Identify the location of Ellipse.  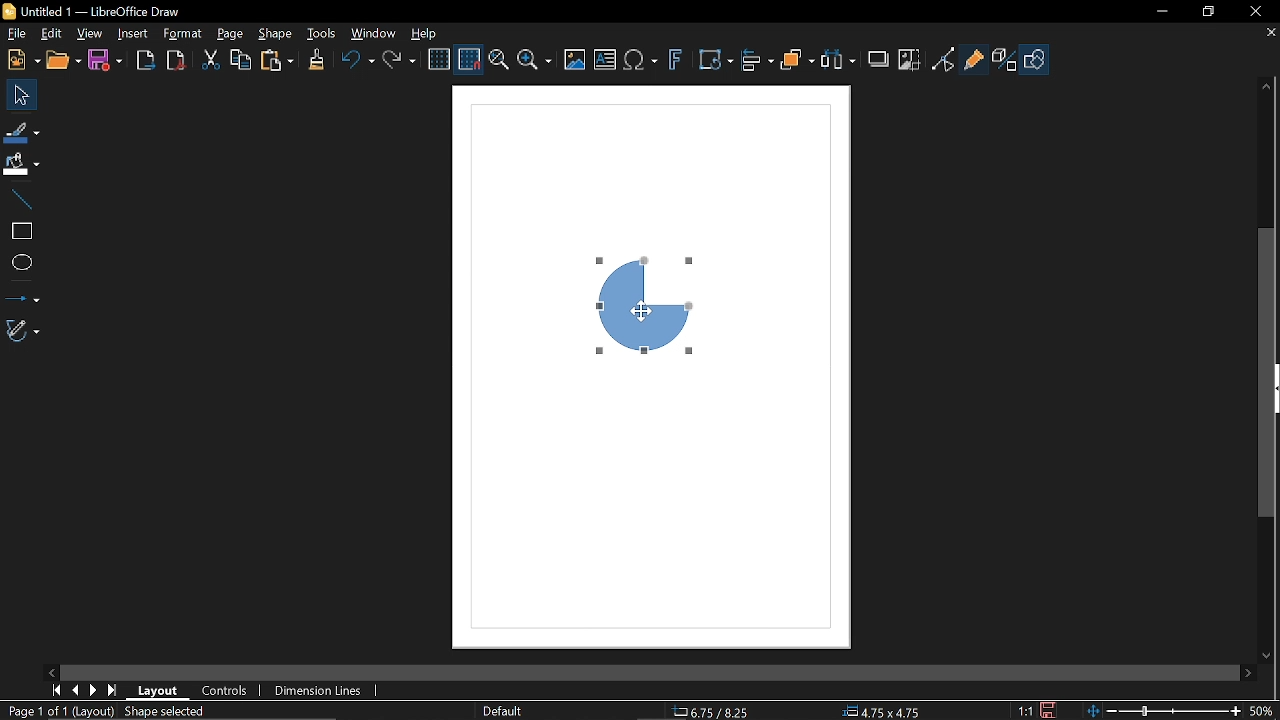
(19, 263).